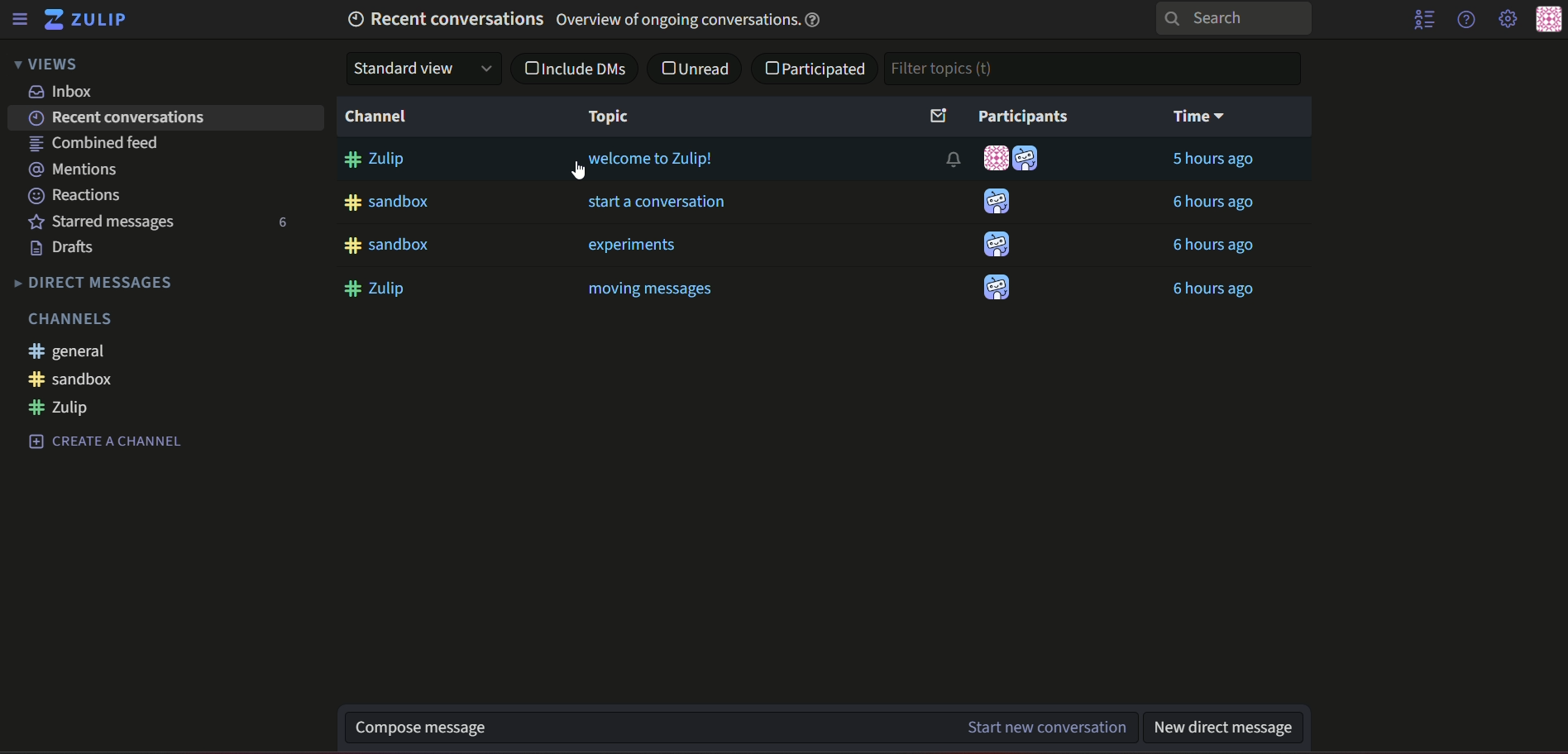 The image size is (1568, 754). I want to click on Moving messages, so click(650, 289).